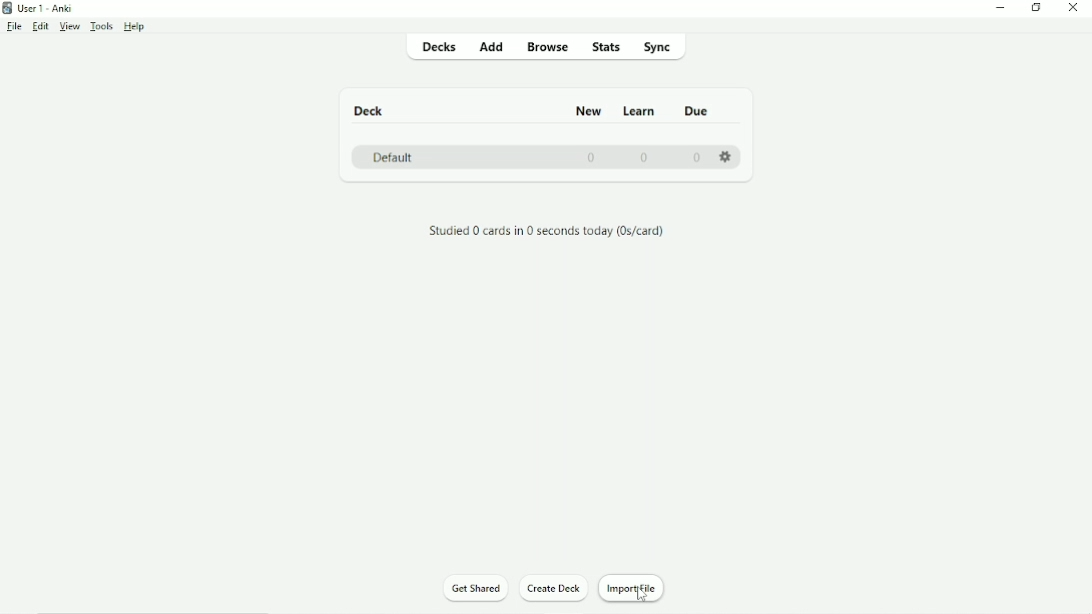  I want to click on File, so click(15, 26).